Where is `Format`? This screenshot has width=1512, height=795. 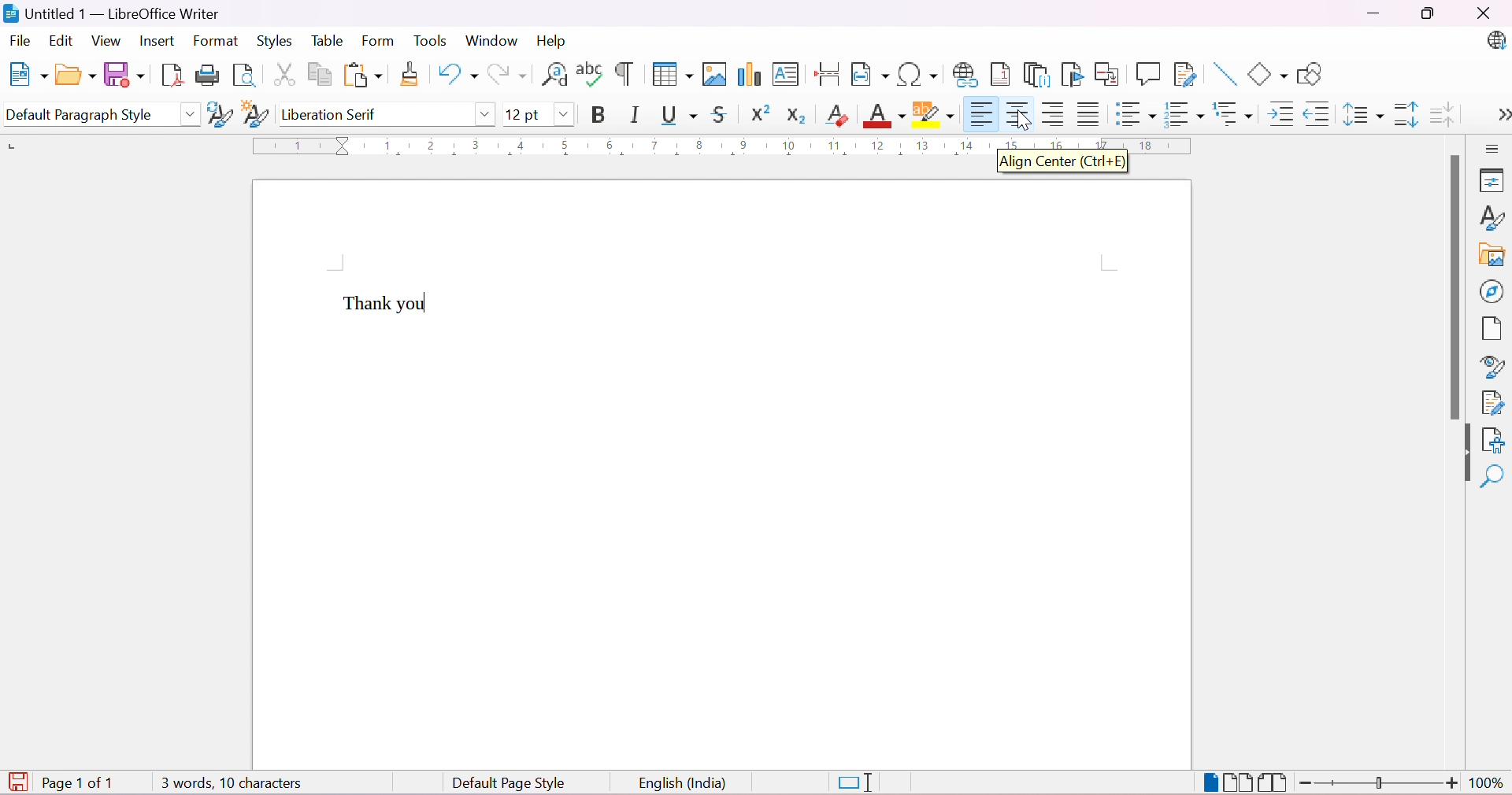 Format is located at coordinates (217, 40).